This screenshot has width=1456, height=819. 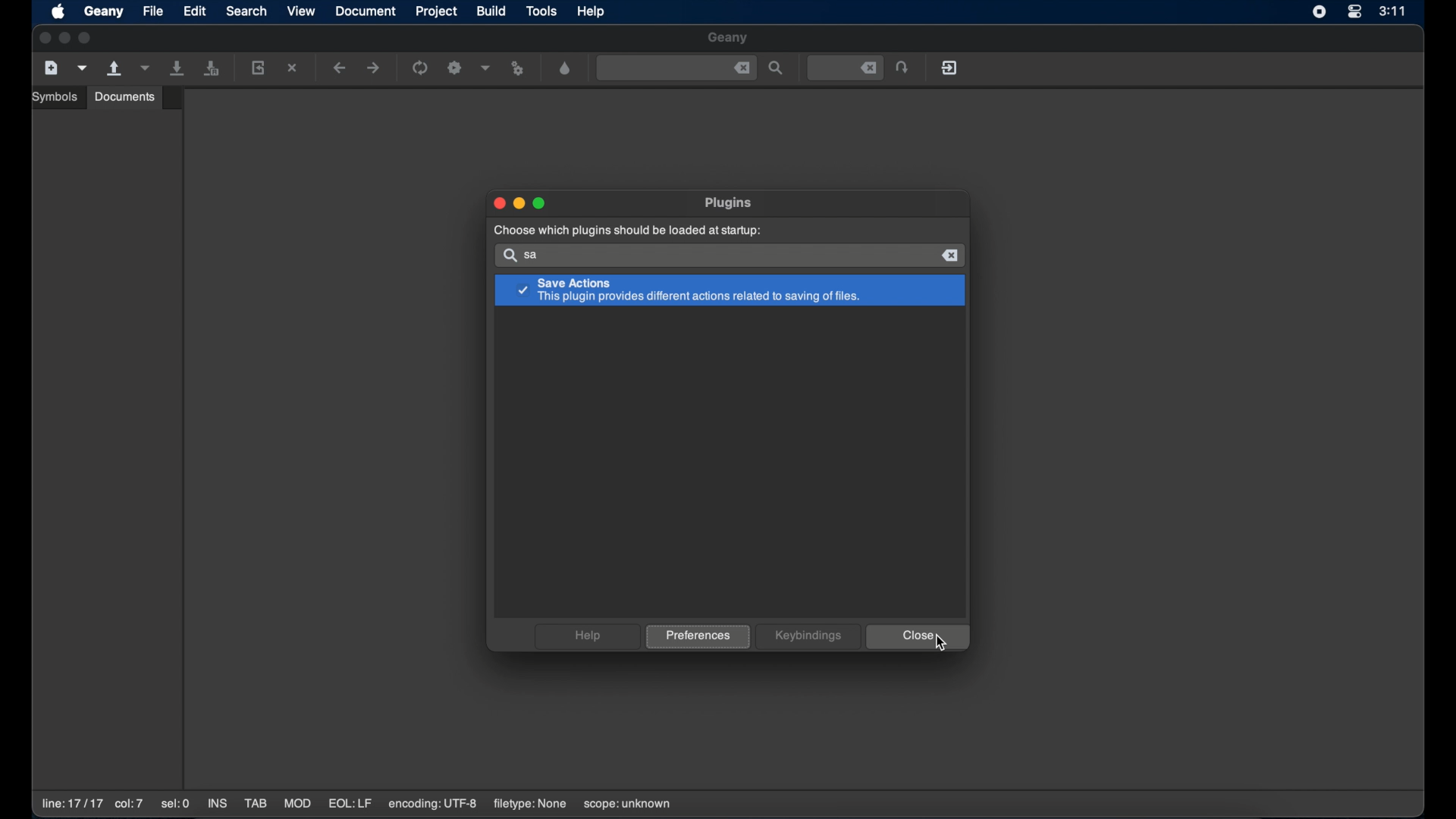 What do you see at coordinates (433, 804) in the screenshot?
I see `encoding: UTF-8` at bounding box center [433, 804].